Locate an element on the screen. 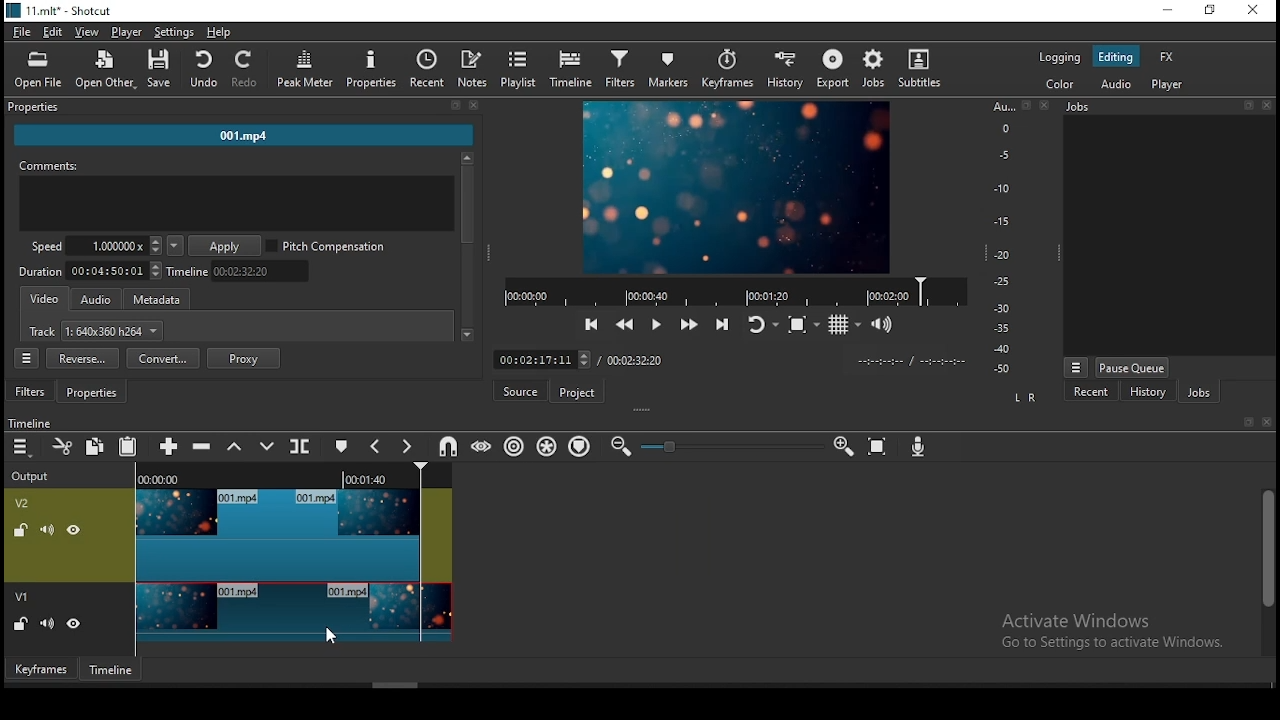 The height and width of the screenshot is (720, 1280). play/pause is located at coordinates (659, 322).